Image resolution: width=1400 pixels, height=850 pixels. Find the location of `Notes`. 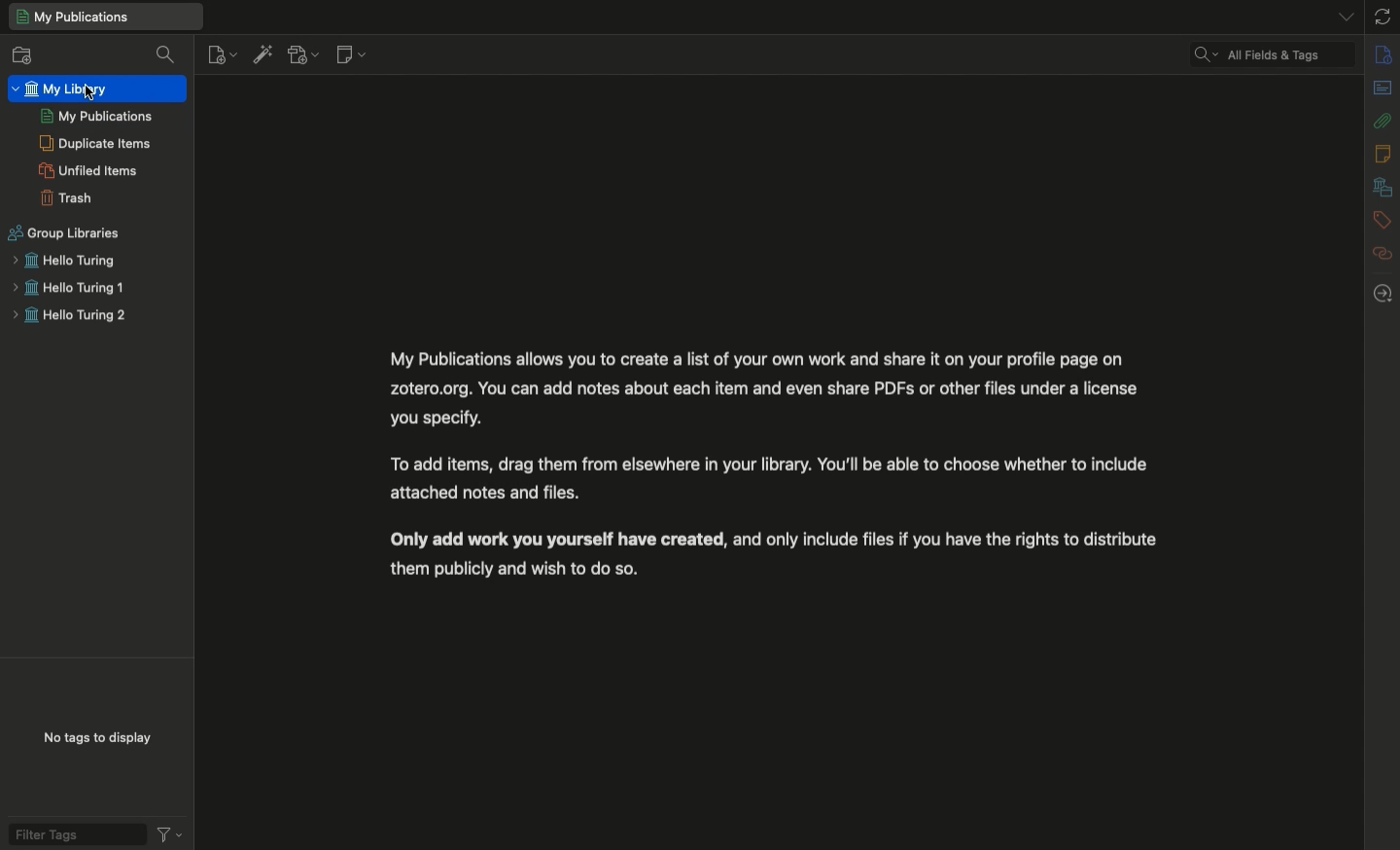

Notes is located at coordinates (1385, 154).